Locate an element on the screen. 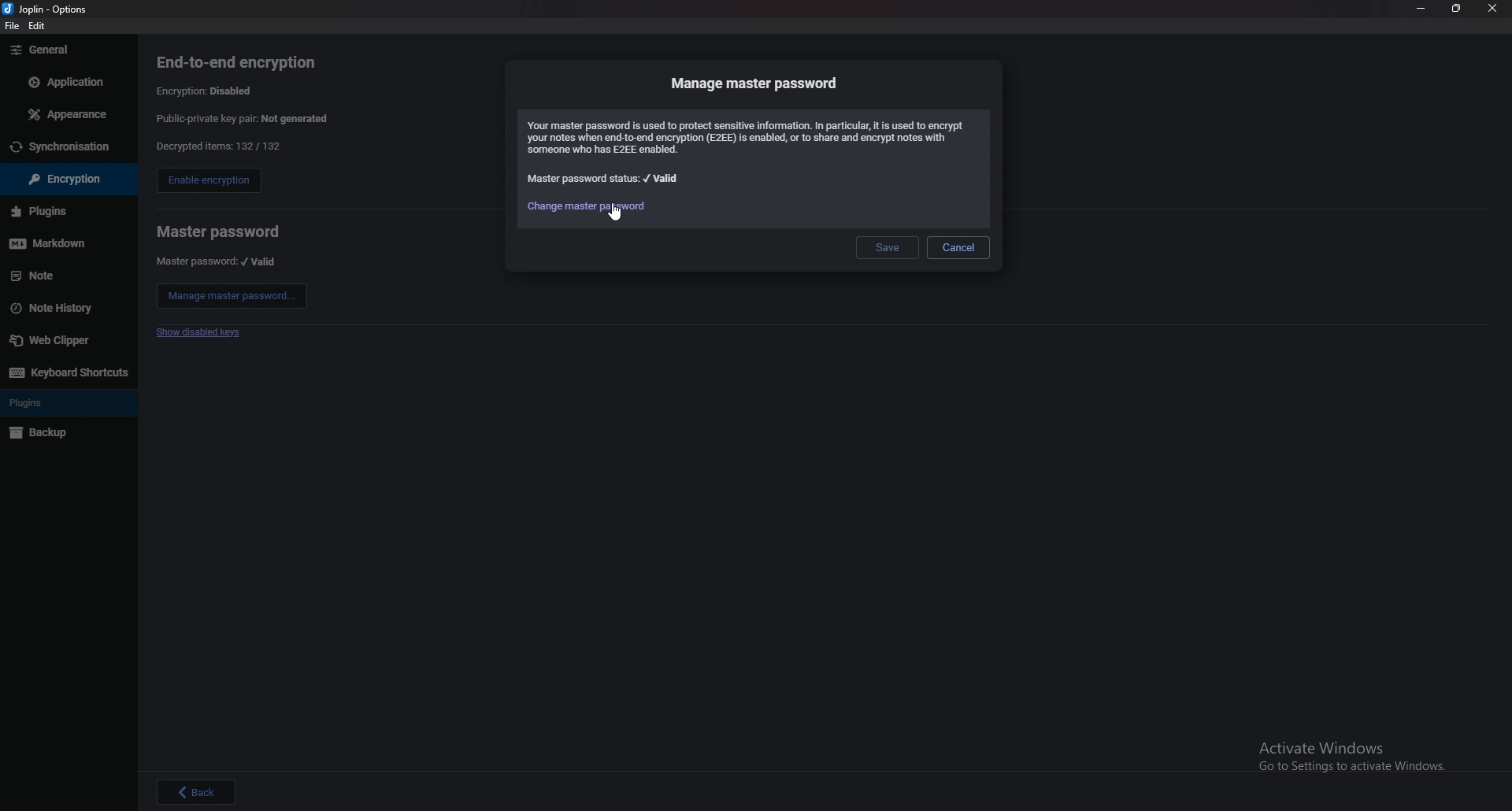  info is located at coordinates (750, 137).